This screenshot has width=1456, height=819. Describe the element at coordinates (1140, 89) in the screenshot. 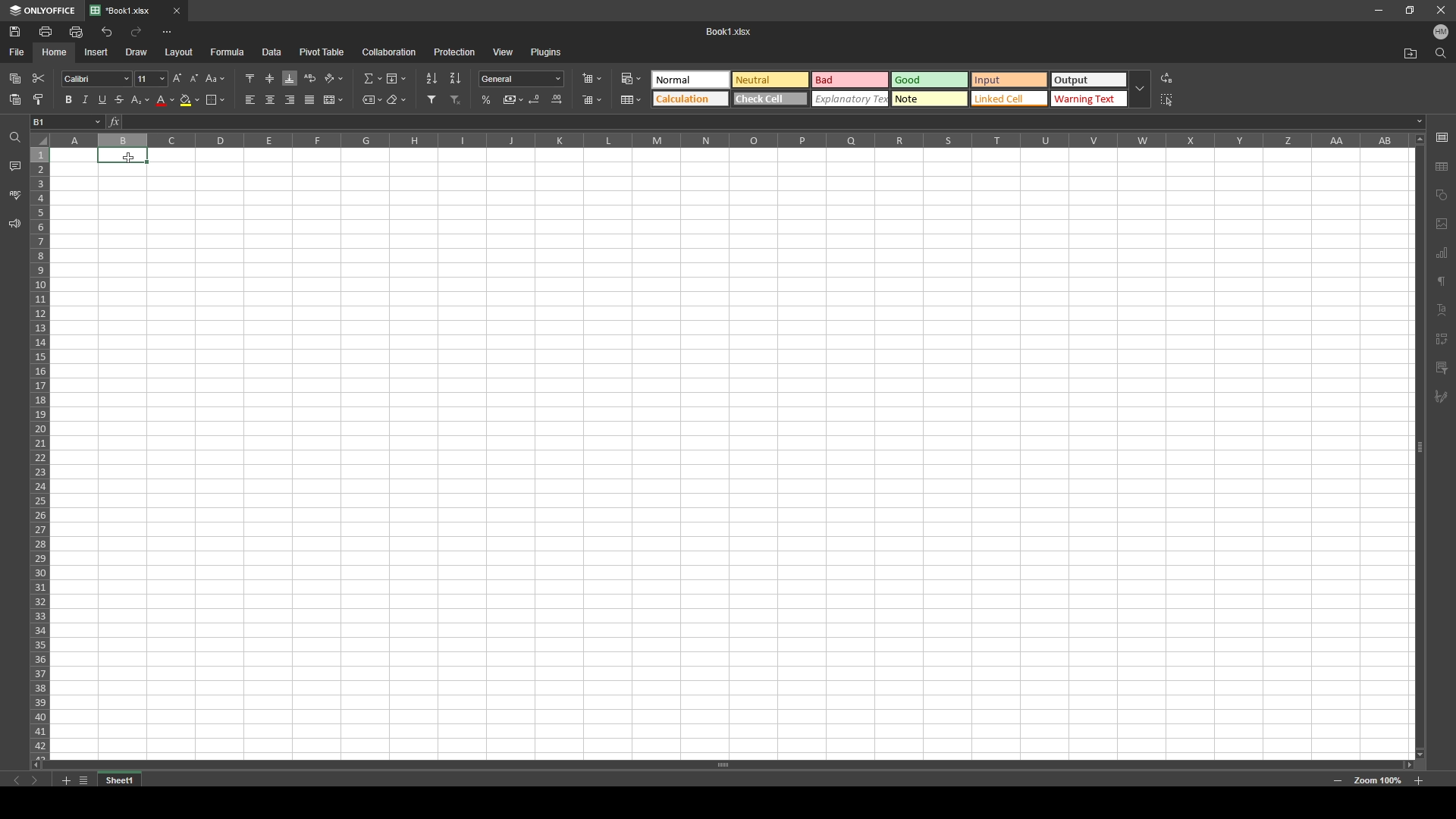

I see `expand` at that location.